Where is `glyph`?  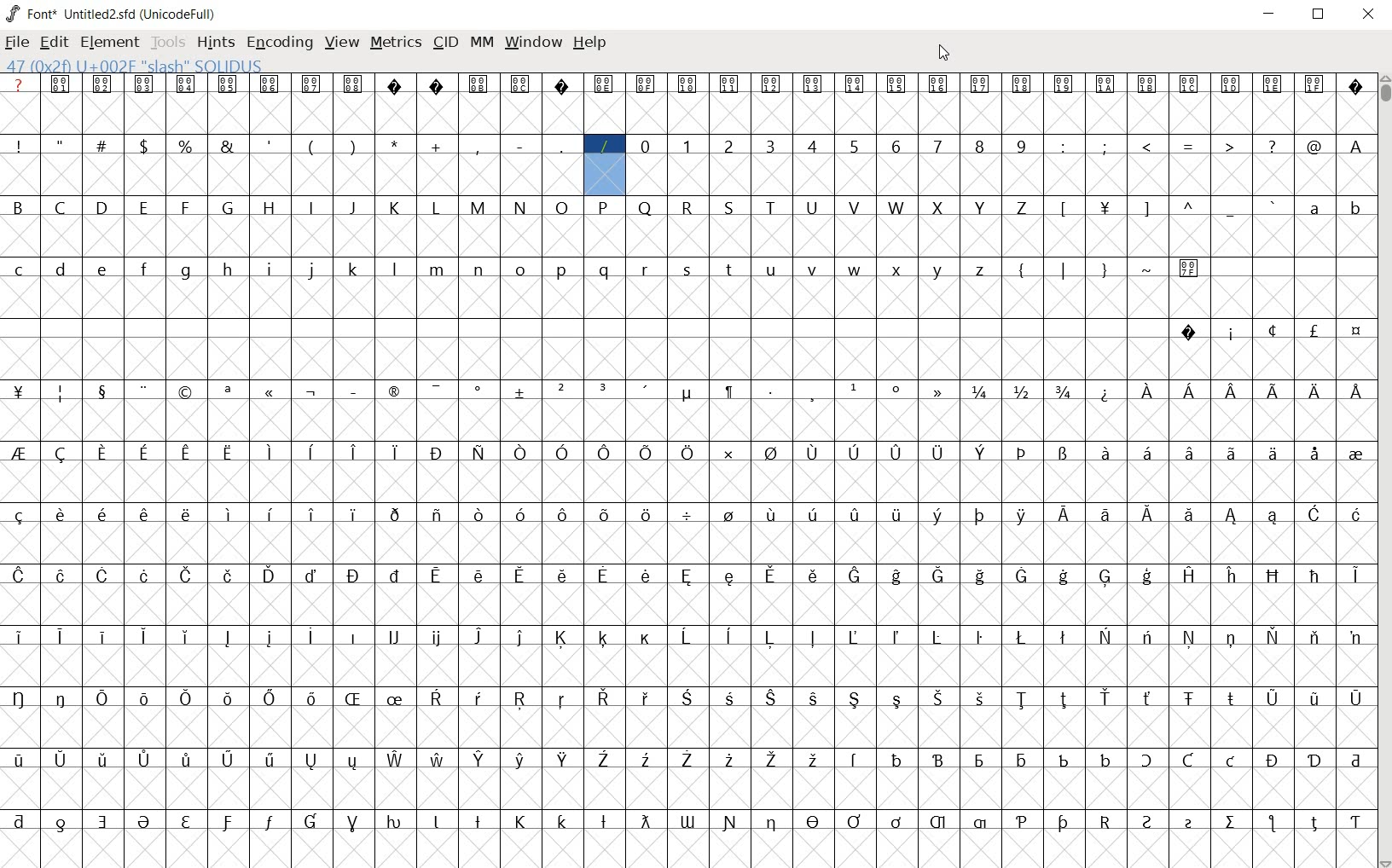
glyph is located at coordinates (854, 148).